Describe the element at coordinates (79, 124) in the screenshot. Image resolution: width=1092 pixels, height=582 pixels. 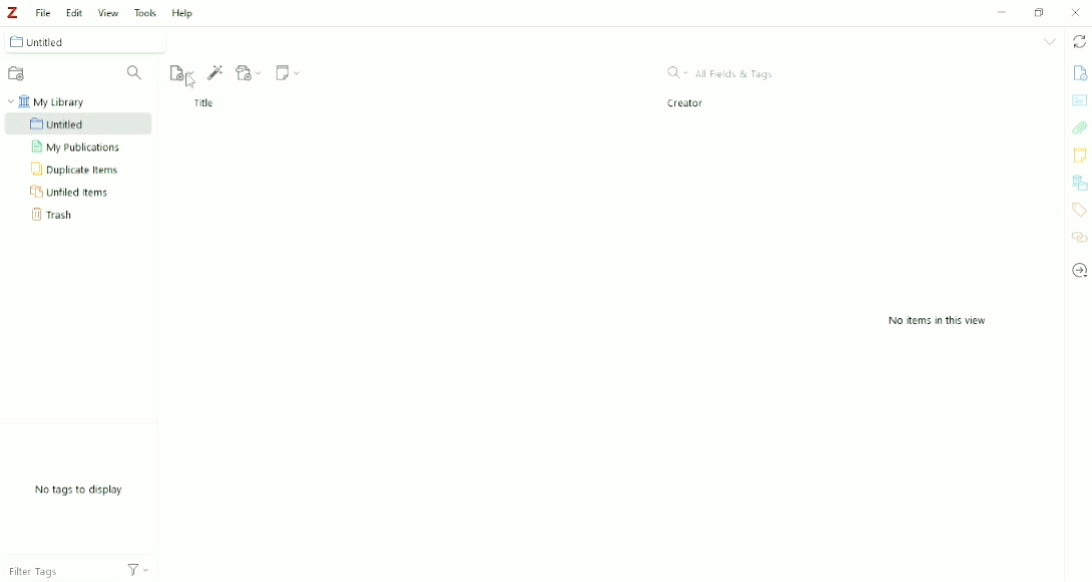
I see `Untitled` at that location.